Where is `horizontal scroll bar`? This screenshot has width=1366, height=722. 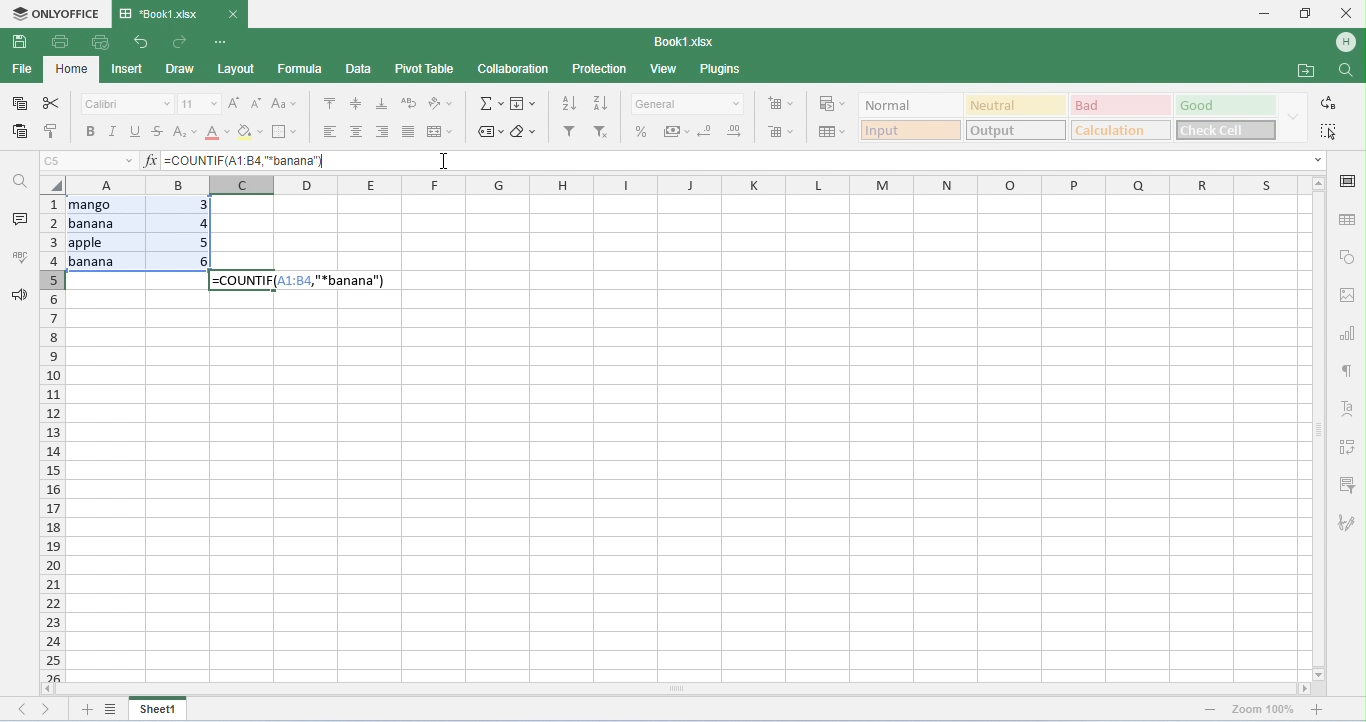 horizontal scroll bar is located at coordinates (674, 688).